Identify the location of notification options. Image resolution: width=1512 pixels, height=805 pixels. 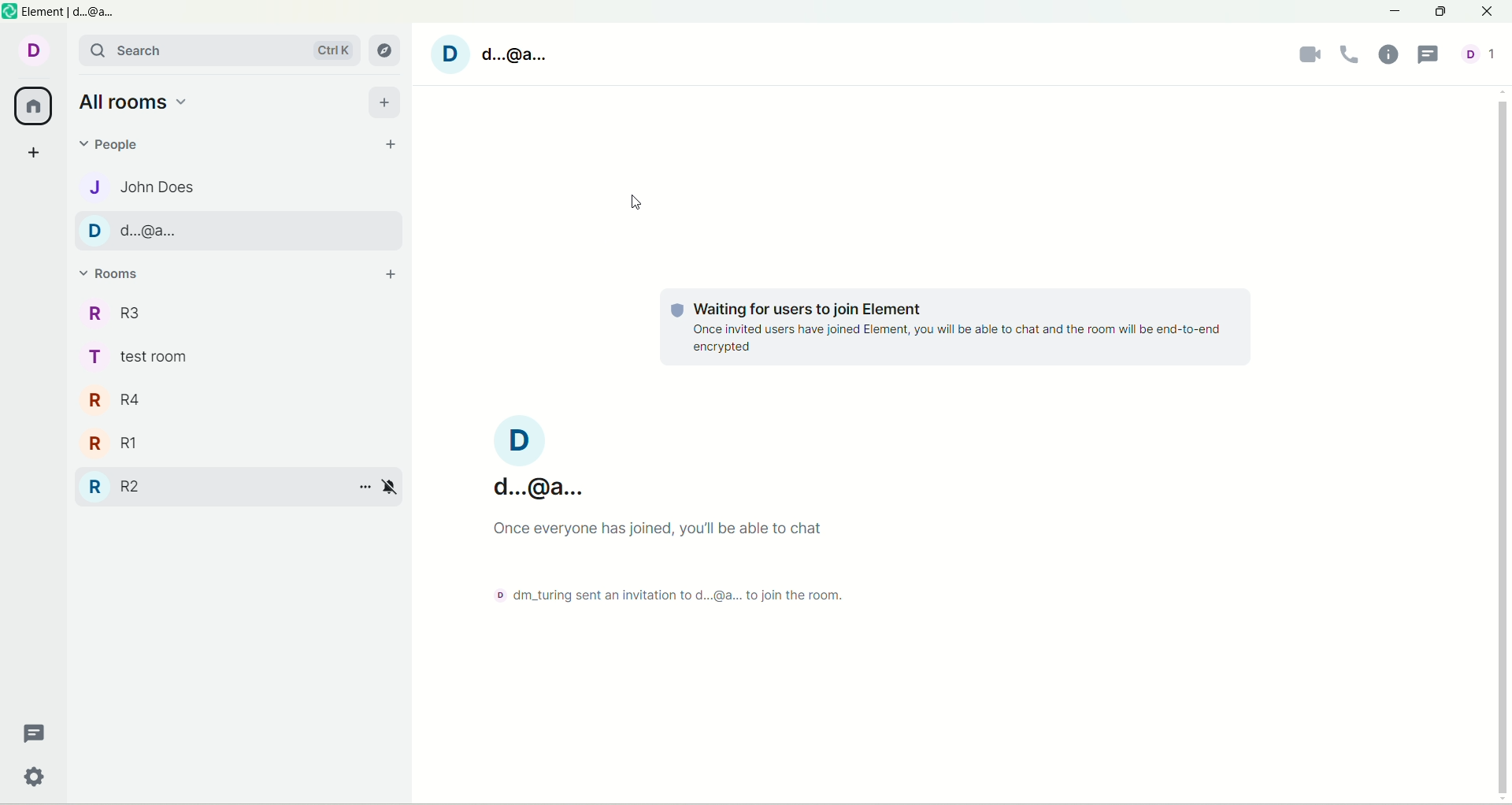
(391, 484).